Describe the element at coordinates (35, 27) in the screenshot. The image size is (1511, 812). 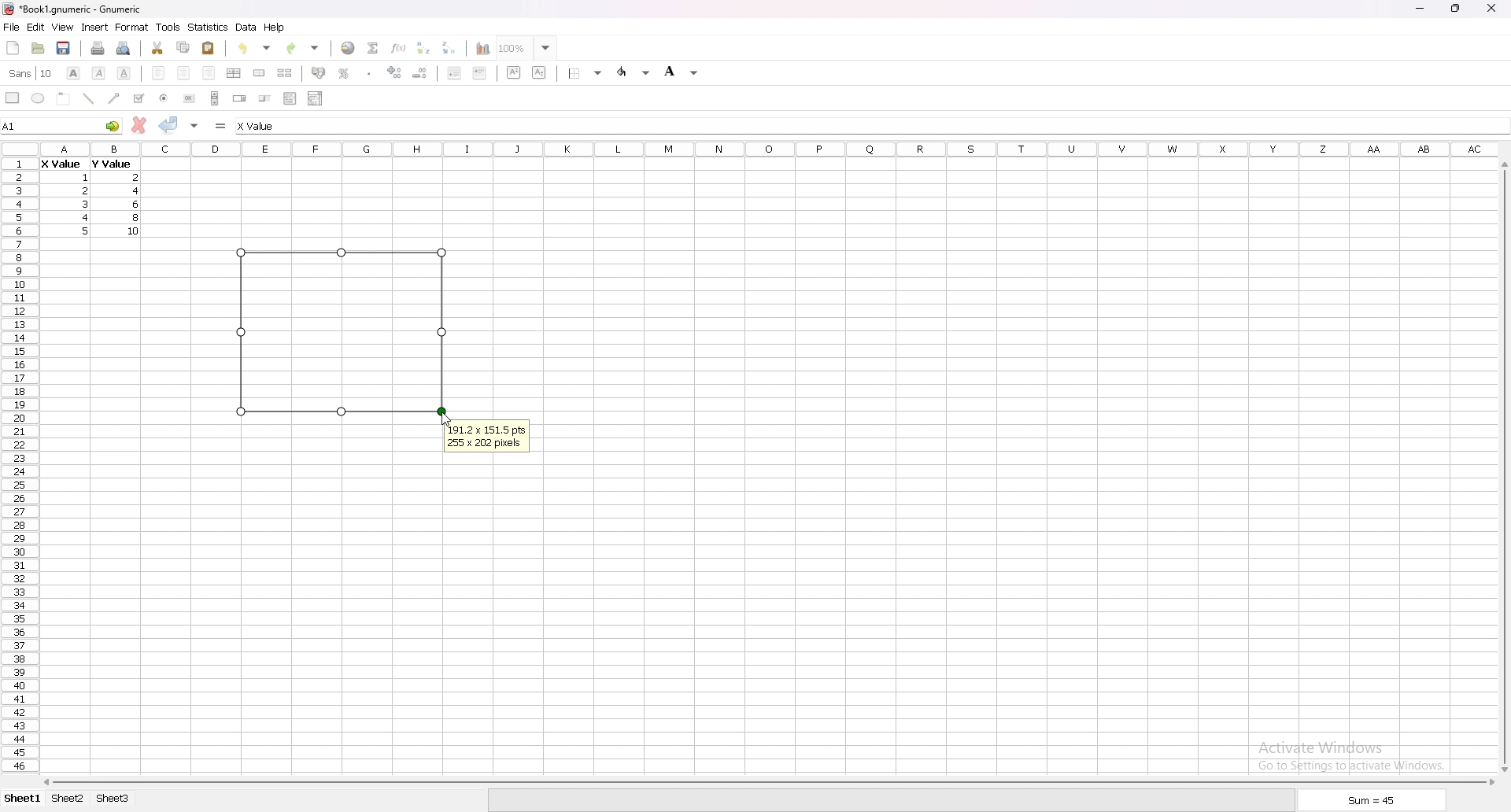
I see `edit` at that location.